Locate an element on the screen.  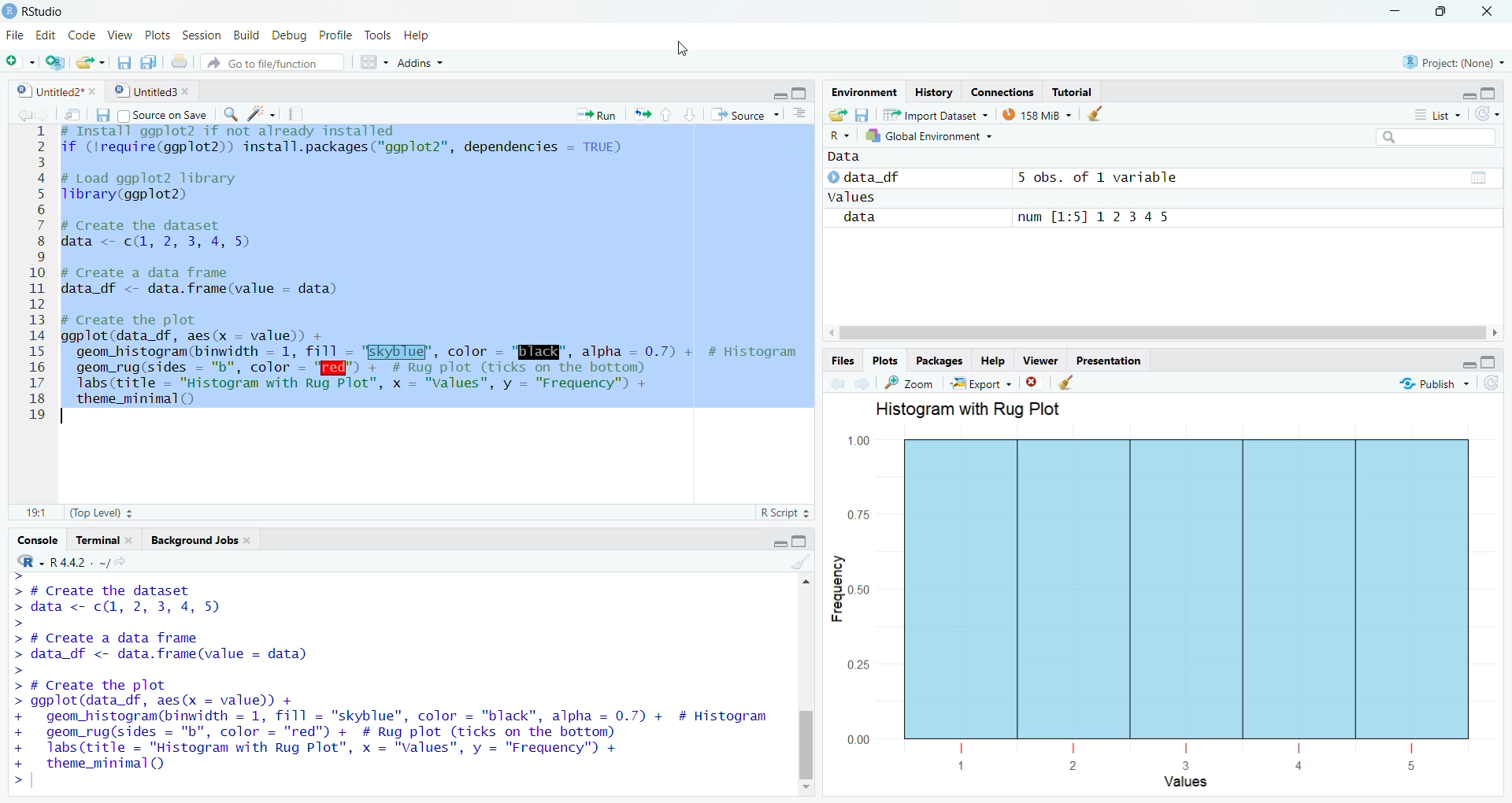
History is located at coordinates (932, 90).